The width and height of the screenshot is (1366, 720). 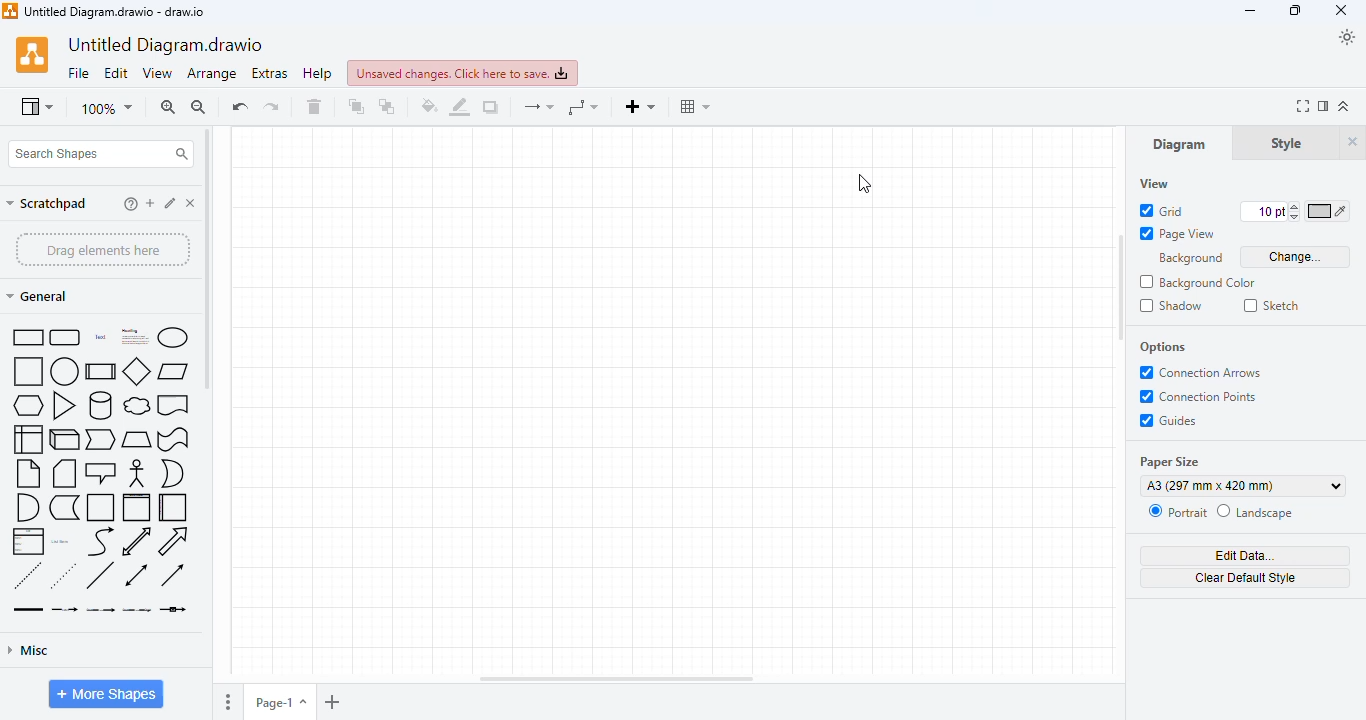 What do you see at coordinates (1159, 210) in the screenshot?
I see `grid` at bounding box center [1159, 210].